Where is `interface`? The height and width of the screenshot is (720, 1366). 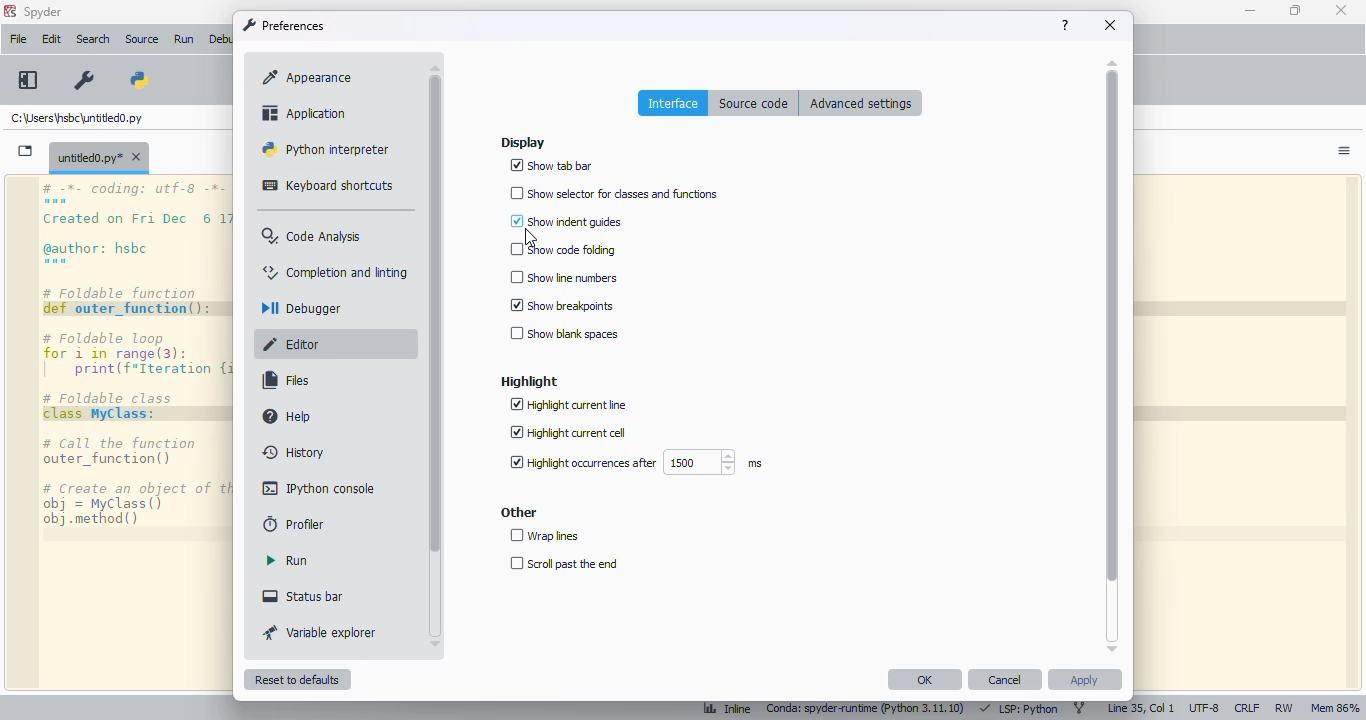
interface is located at coordinates (674, 103).